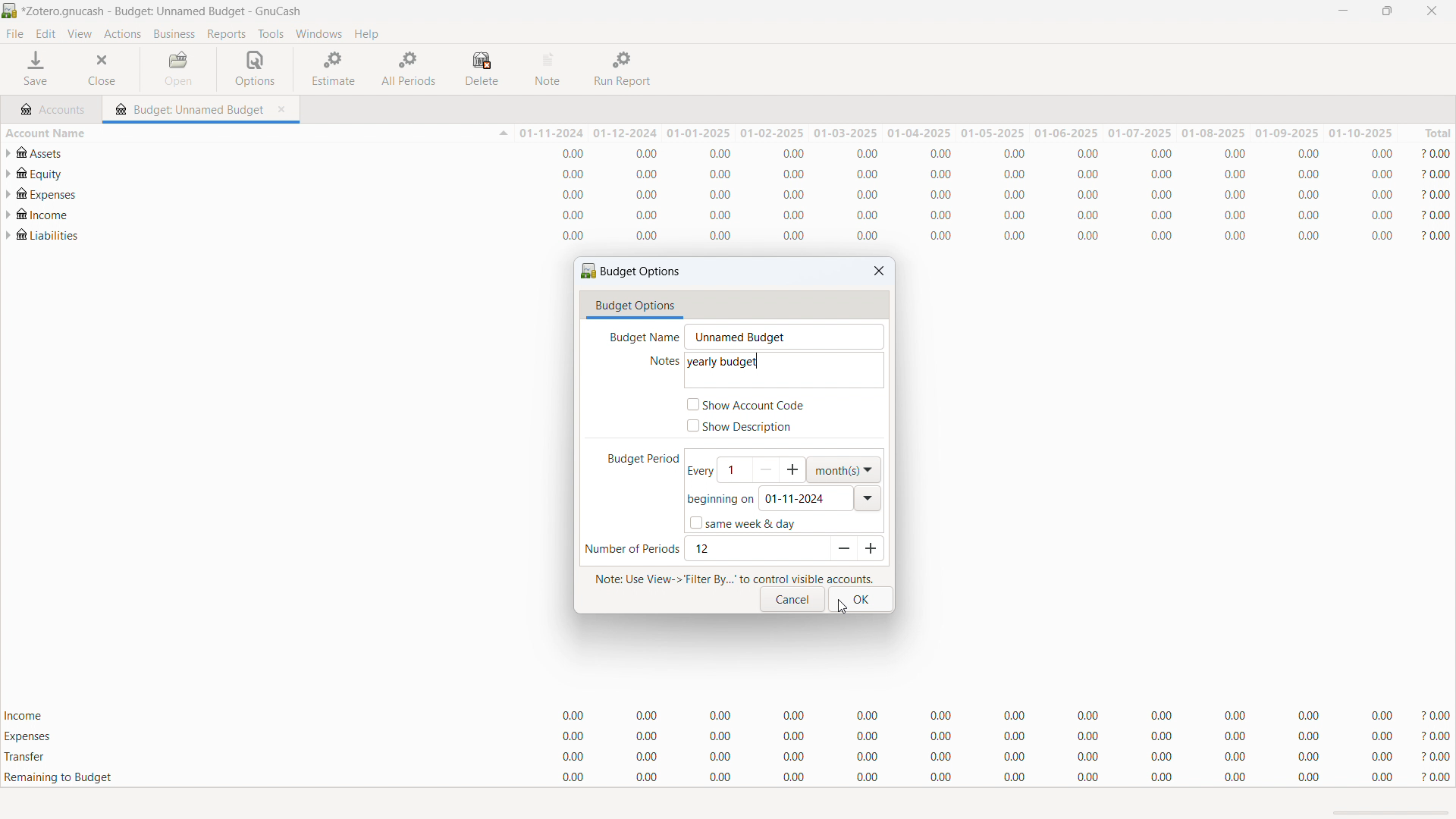 Image resolution: width=1456 pixels, height=819 pixels. What do you see at coordinates (409, 68) in the screenshot?
I see `all periods` at bounding box center [409, 68].